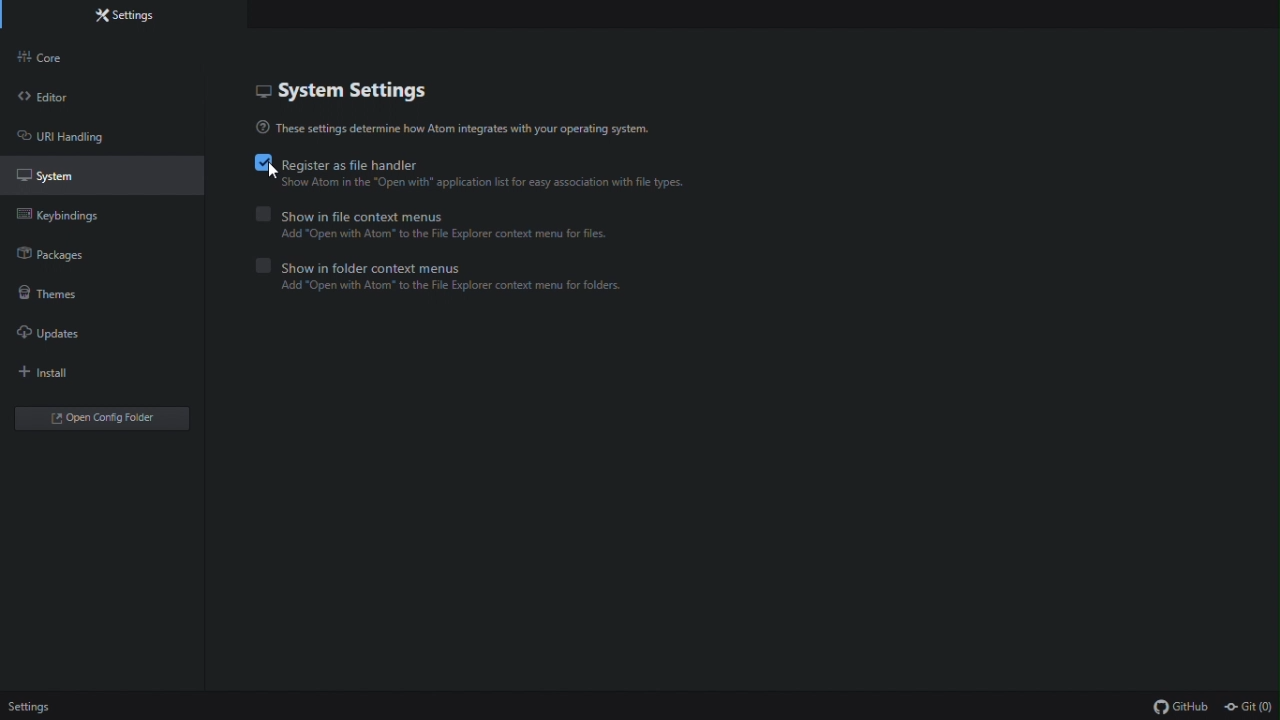  I want to click on Packages, so click(67, 258).